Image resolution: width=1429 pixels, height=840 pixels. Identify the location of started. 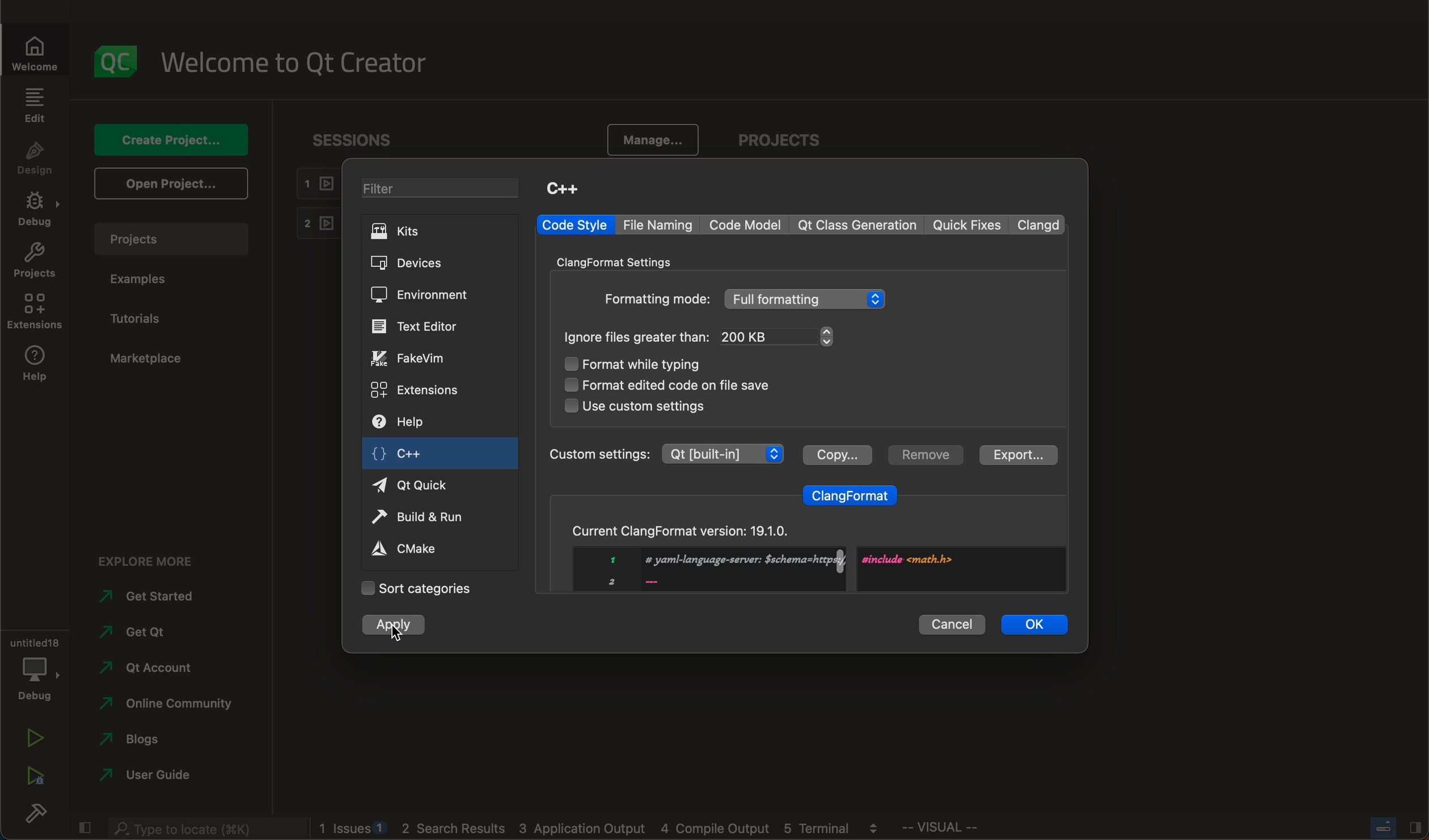
(157, 596).